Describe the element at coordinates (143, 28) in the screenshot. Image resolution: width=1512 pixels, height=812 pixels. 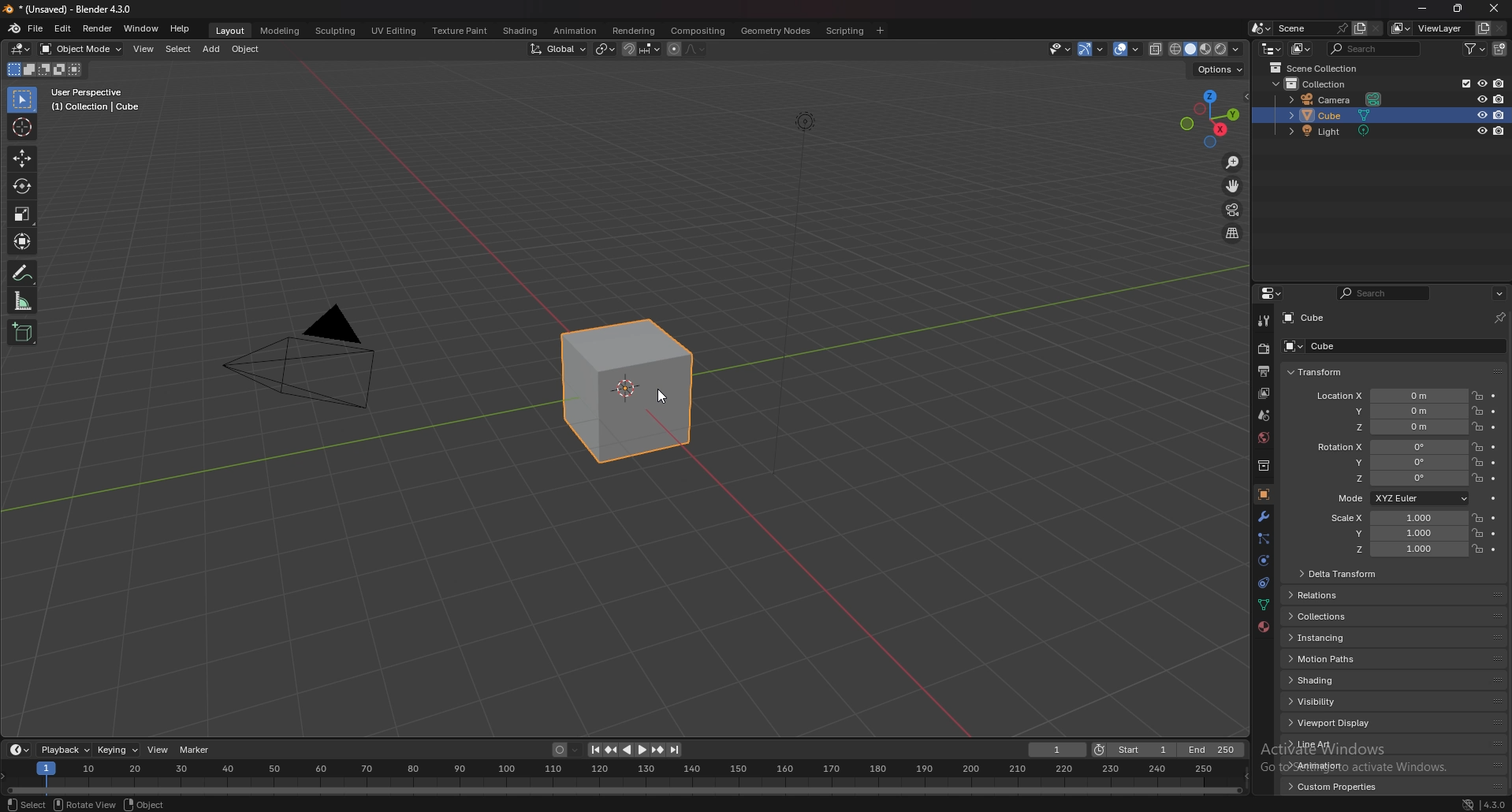
I see `window` at that location.